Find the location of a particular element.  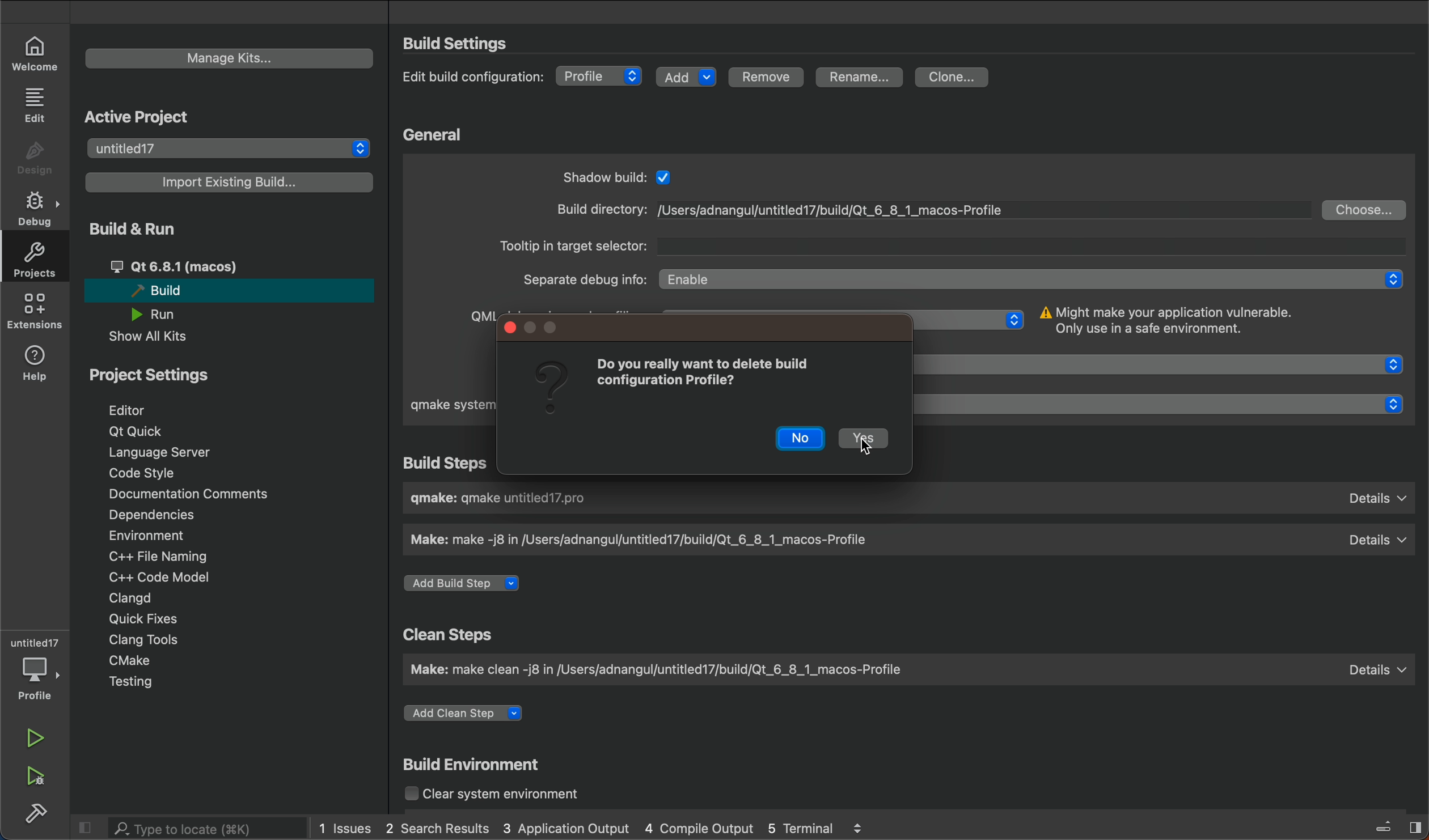

build is located at coordinates (177, 291).